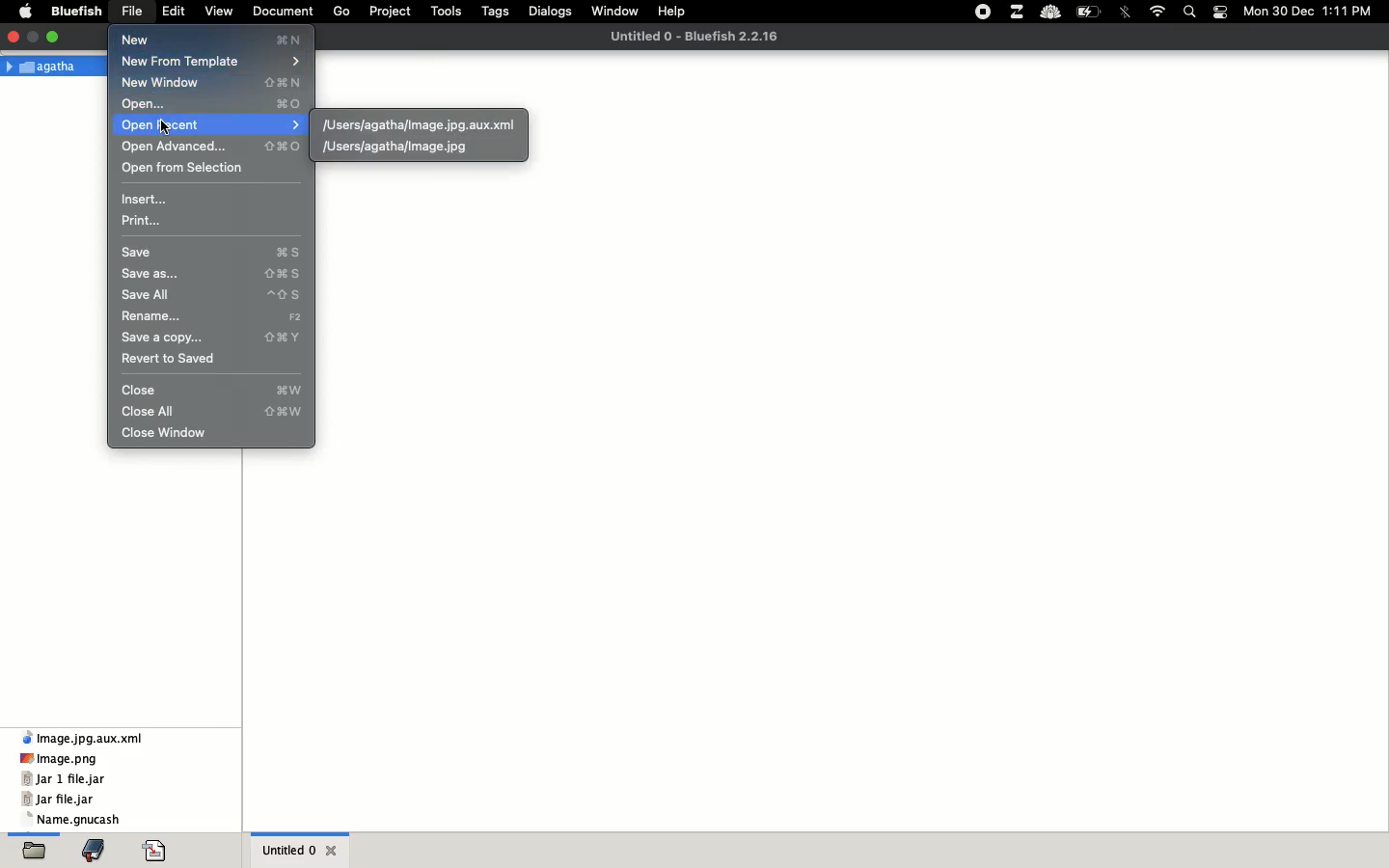 This screenshot has height=868, width=1389. Describe the element at coordinates (212, 64) in the screenshot. I see `new from template` at that location.